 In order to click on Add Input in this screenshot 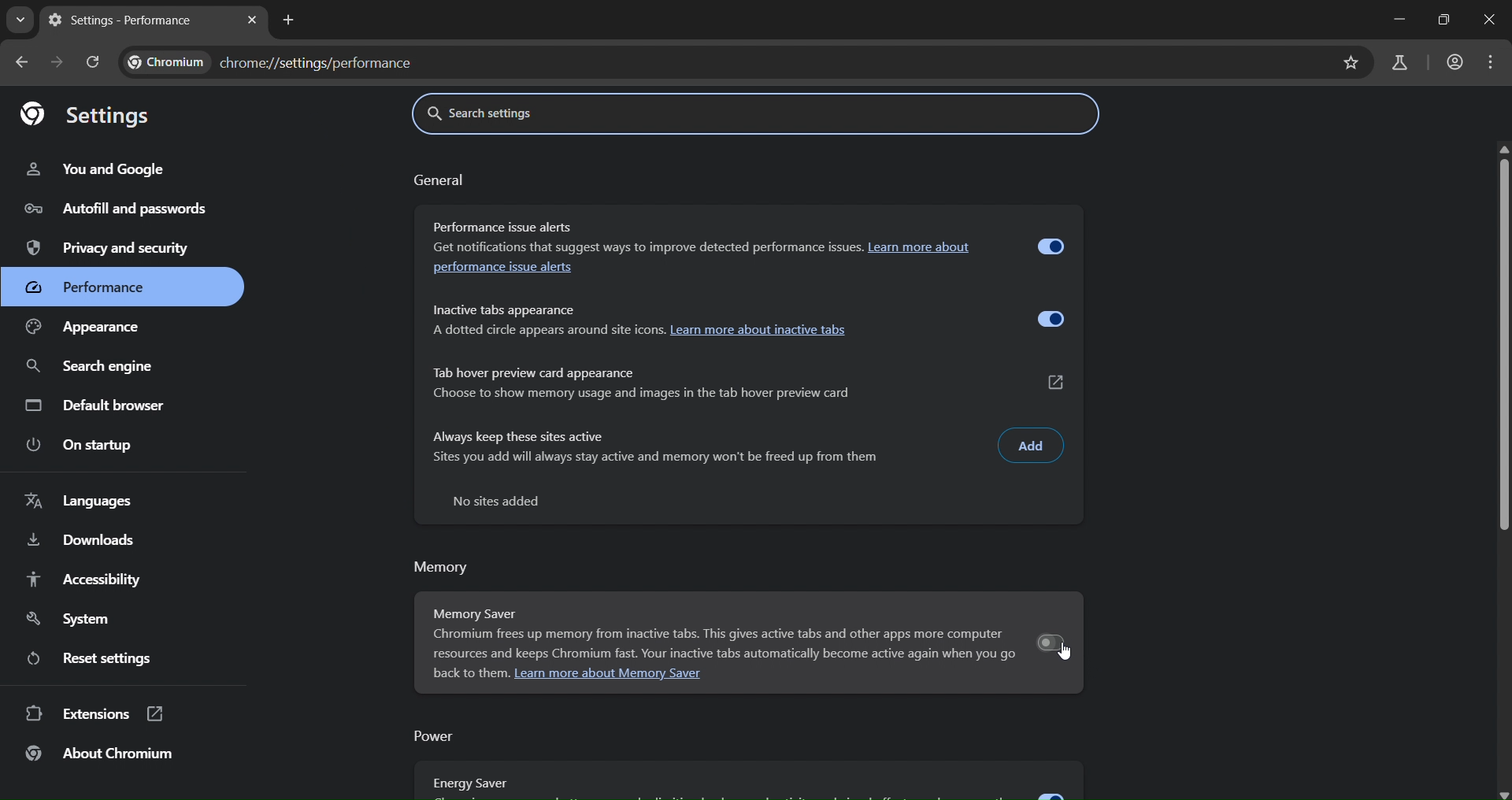, I will do `click(1032, 447)`.